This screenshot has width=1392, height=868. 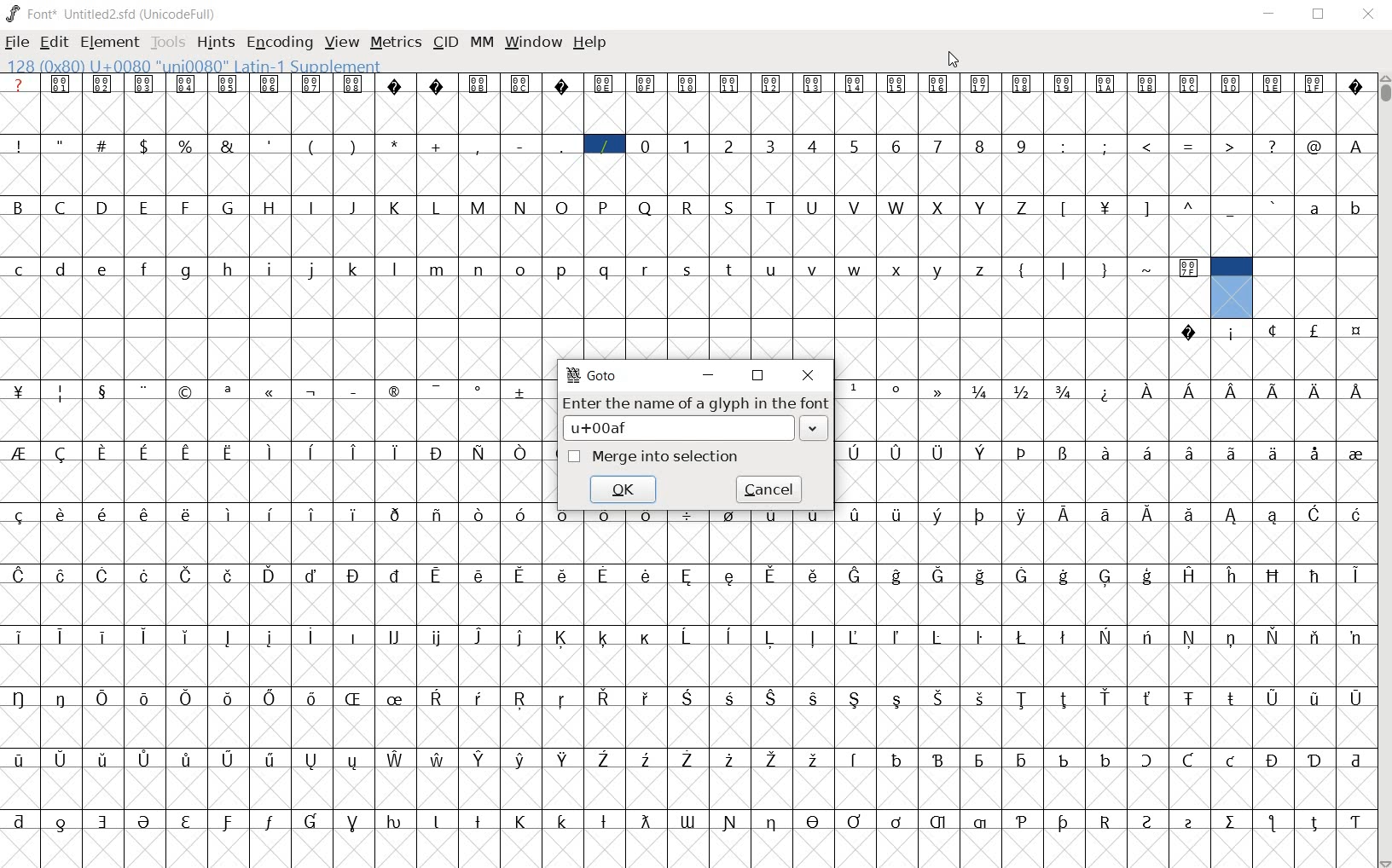 What do you see at coordinates (270, 83) in the screenshot?
I see `Symbol` at bounding box center [270, 83].